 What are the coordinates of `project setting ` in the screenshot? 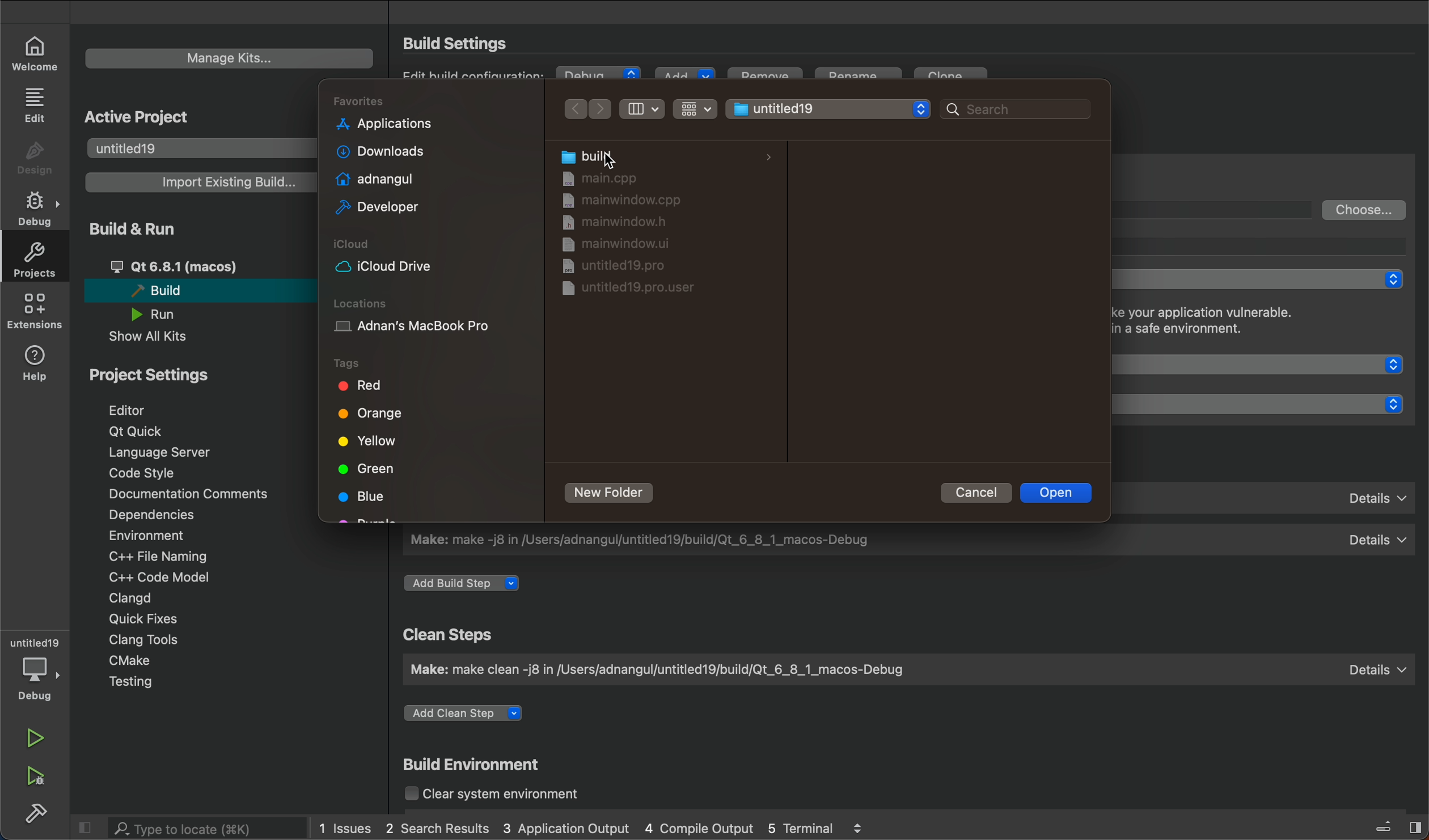 It's located at (173, 374).